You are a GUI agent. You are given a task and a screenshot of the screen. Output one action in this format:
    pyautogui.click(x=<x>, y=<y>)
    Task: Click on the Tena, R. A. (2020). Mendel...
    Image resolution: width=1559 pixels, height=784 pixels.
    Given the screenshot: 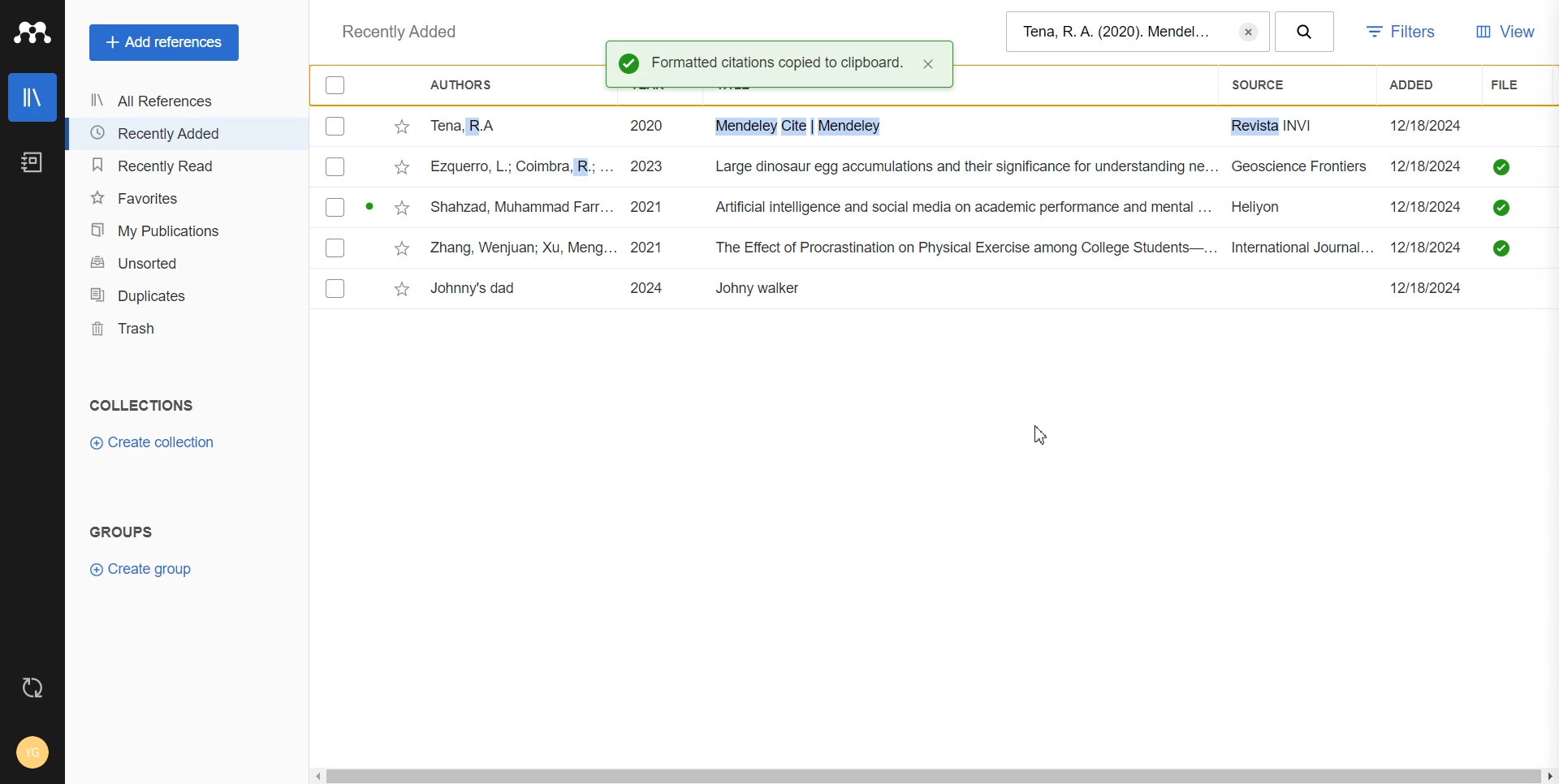 What is the action you would take?
    pyautogui.click(x=1119, y=32)
    